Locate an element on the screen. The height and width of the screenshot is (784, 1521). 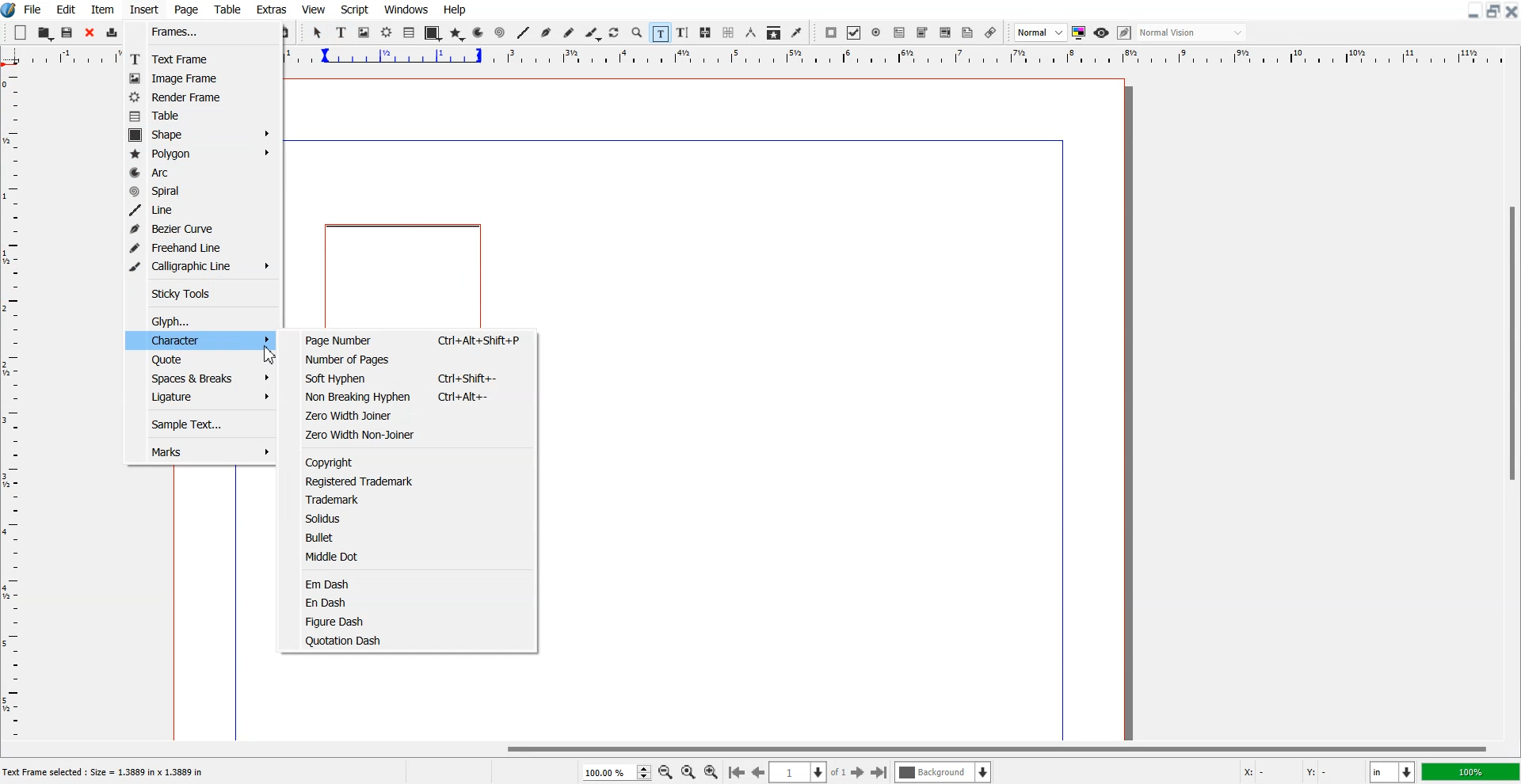
Zoom to 100% is located at coordinates (688, 773).